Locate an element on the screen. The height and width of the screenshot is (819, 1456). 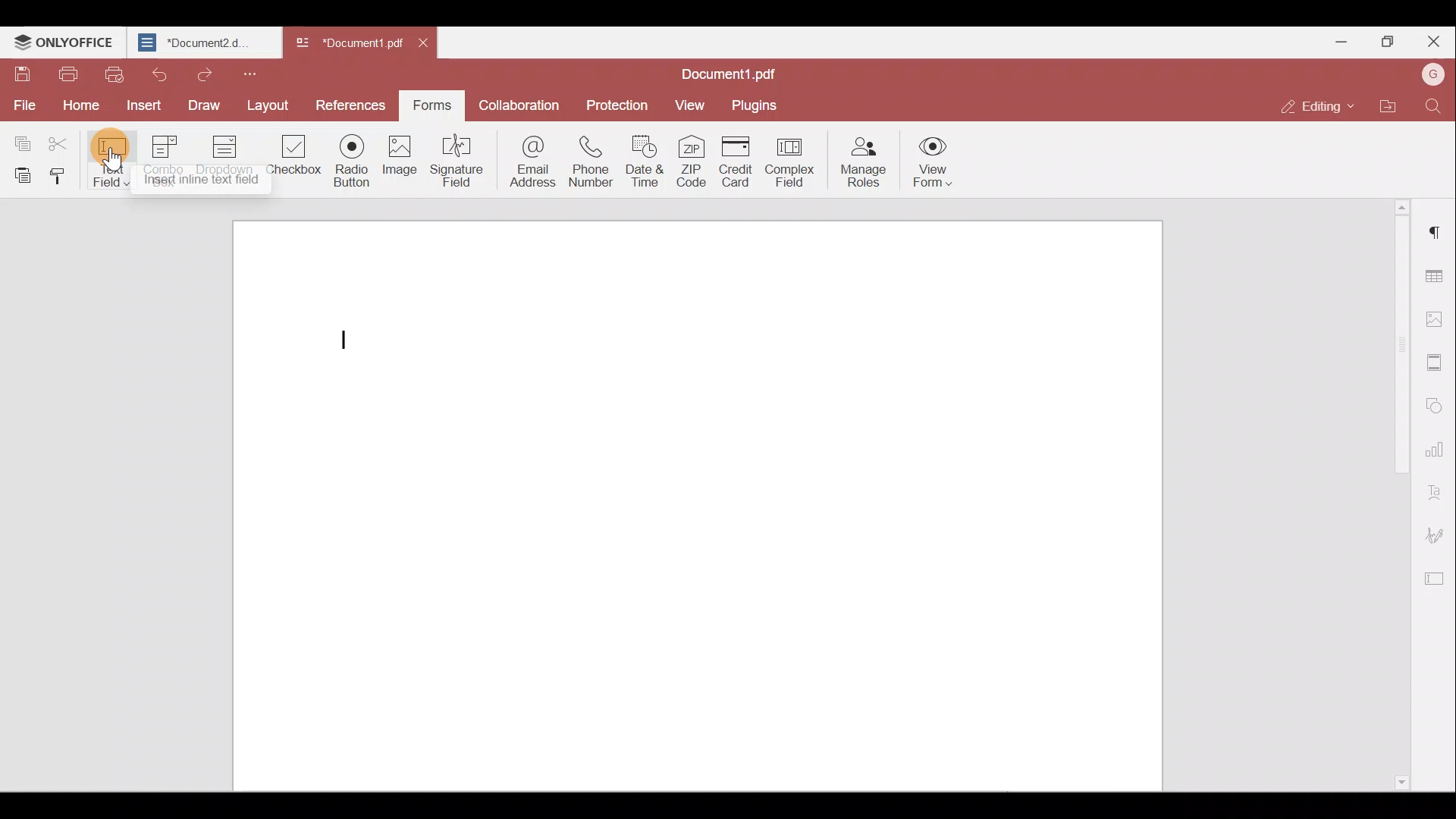
References is located at coordinates (347, 104).